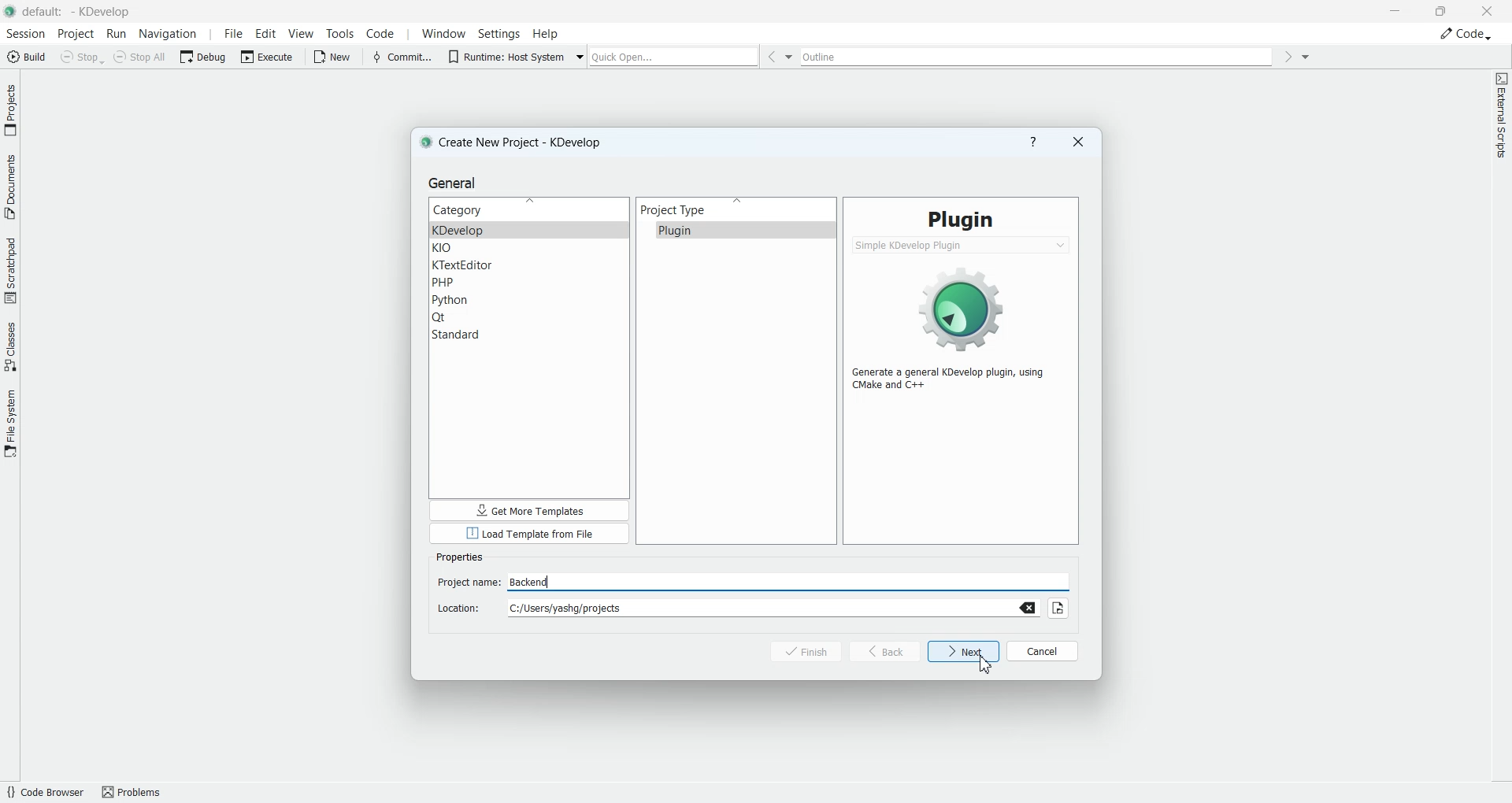  Describe the element at coordinates (10, 185) in the screenshot. I see `Documents` at that location.